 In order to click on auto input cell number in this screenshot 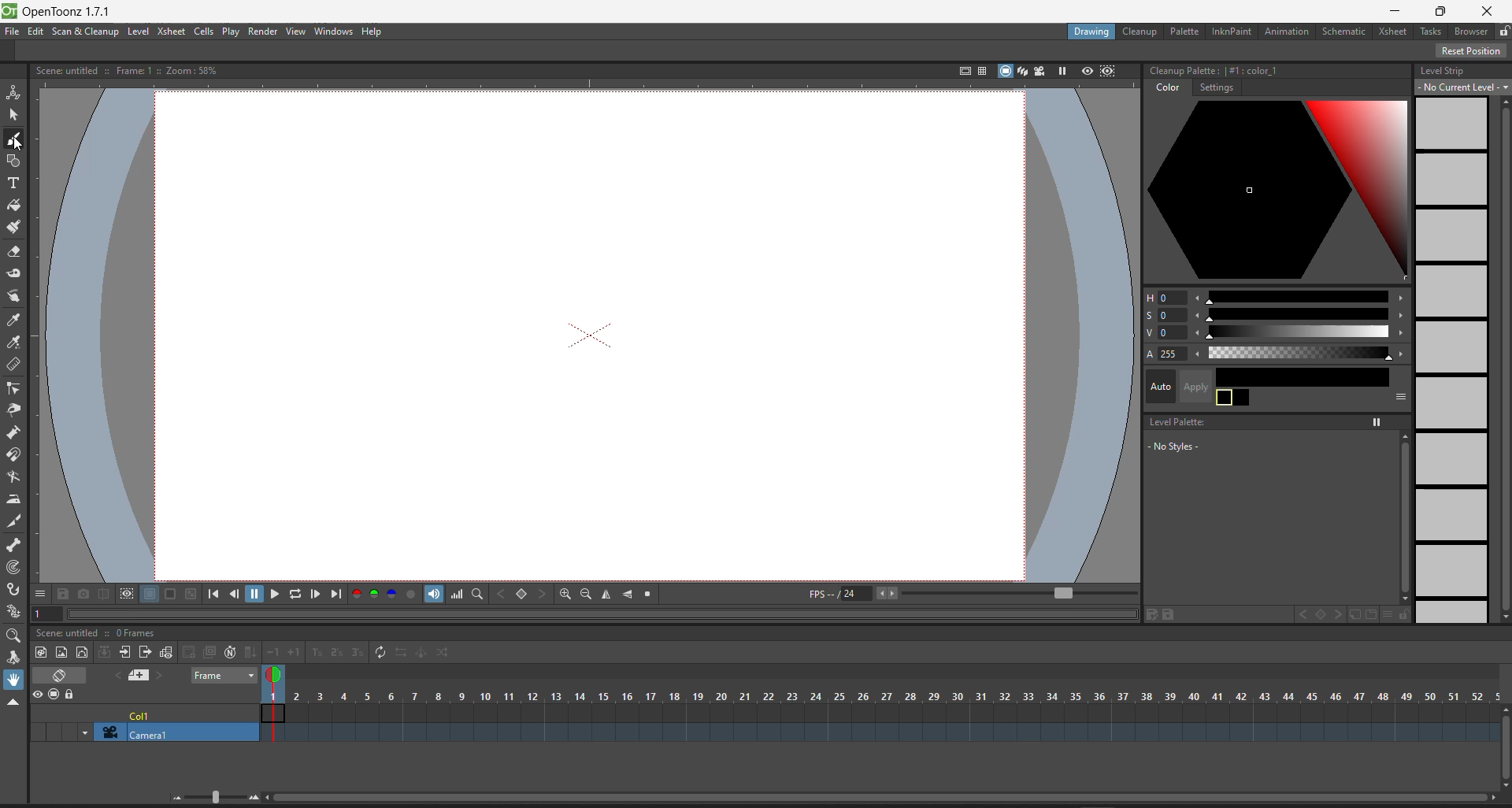, I will do `click(228, 651)`.